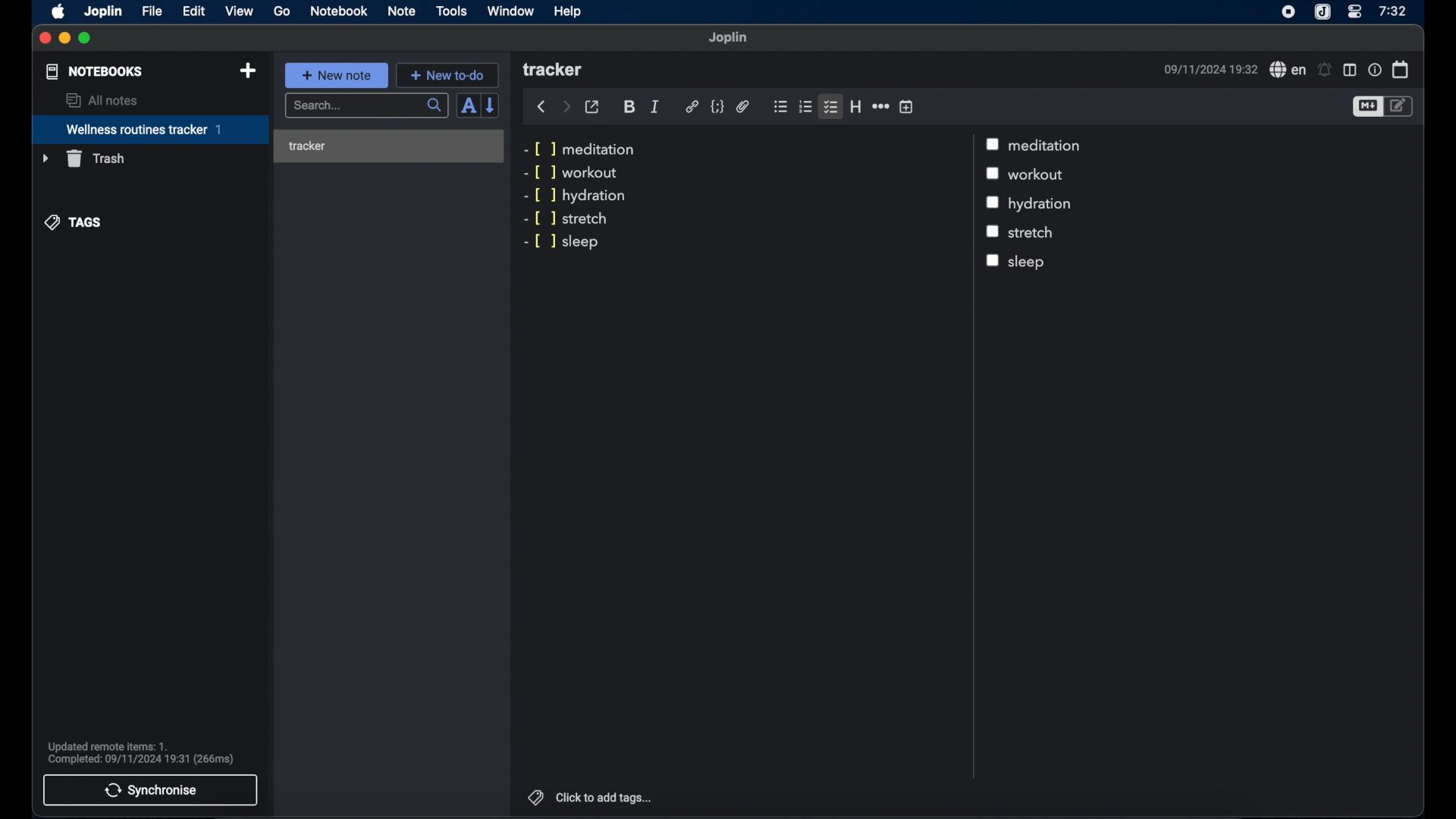 Image resolution: width=1456 pixels, height=819 pixels. I want to click on Updated remote items: 1. Complete: 09/11/2024 19:31 (266ms), so click(147, 751).